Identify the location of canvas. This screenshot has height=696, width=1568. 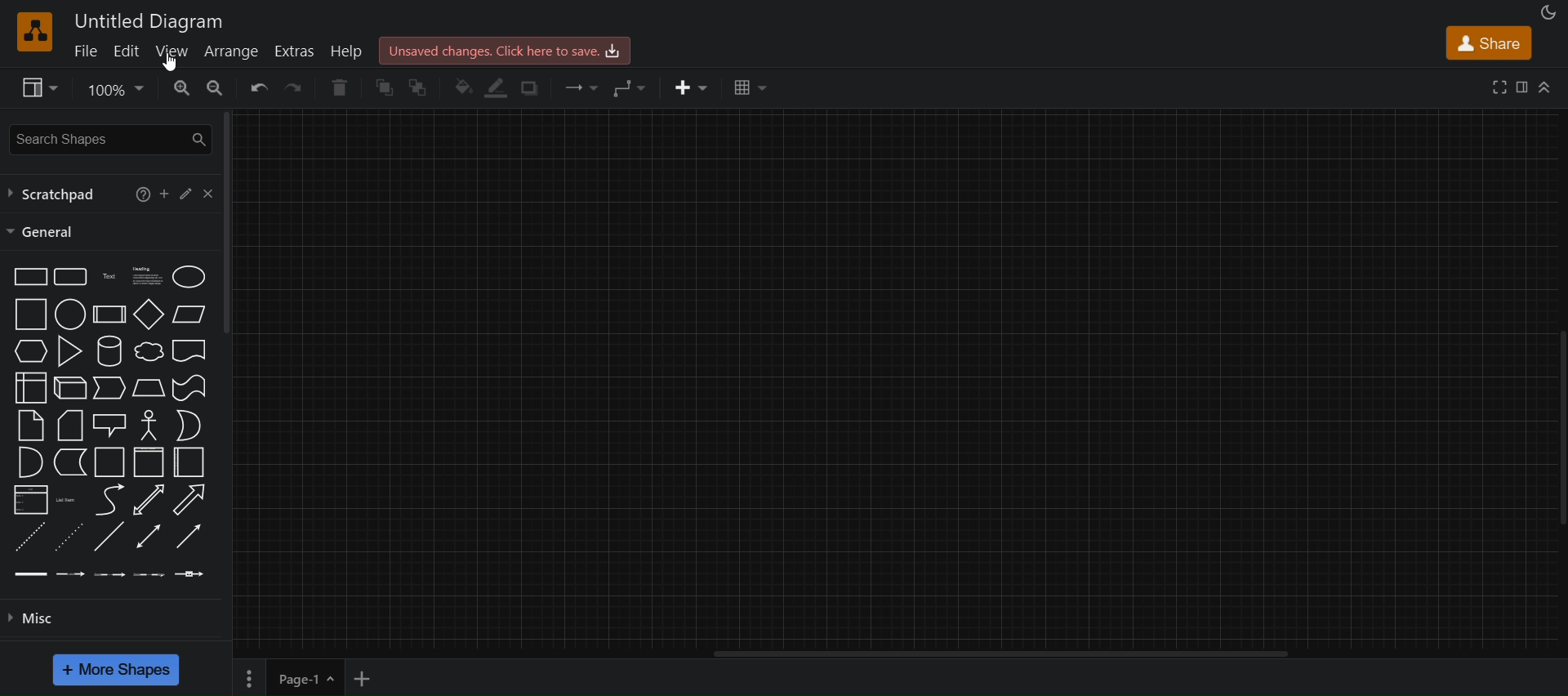
(904, 375).